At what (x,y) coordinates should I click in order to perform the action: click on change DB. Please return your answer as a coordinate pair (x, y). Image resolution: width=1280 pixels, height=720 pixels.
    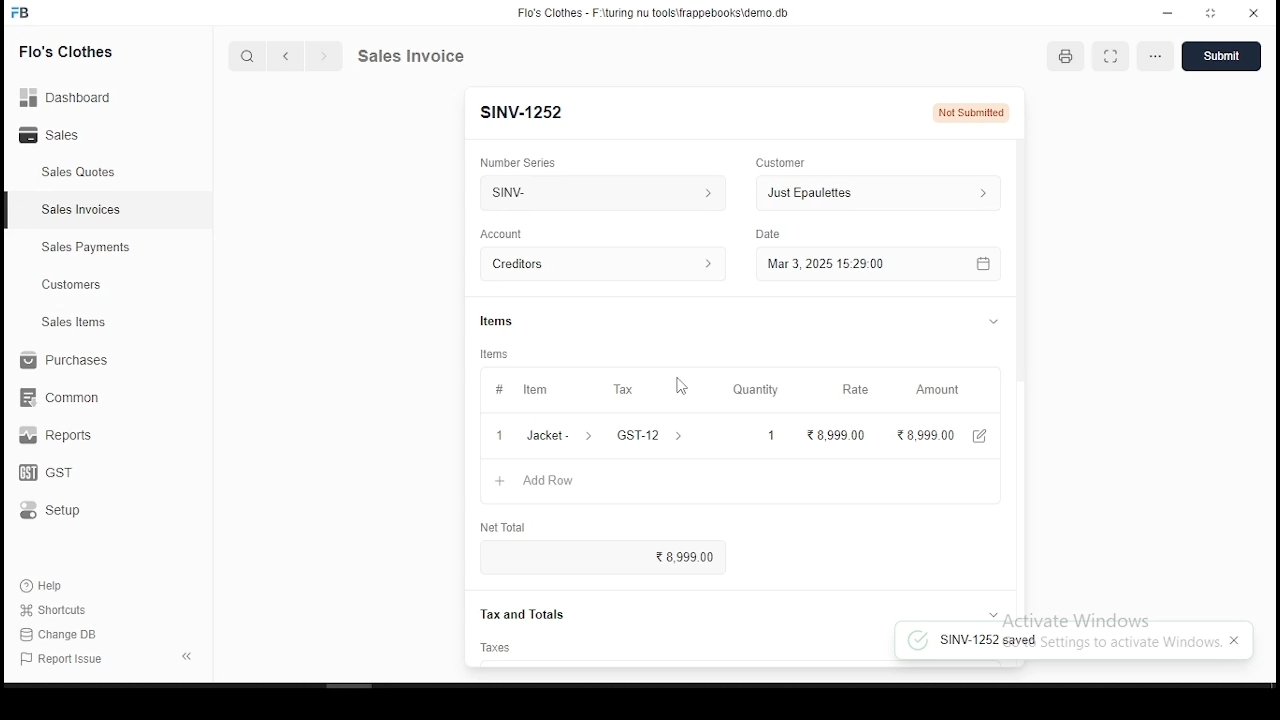
    Looking at the image, I should click on (74, 635).